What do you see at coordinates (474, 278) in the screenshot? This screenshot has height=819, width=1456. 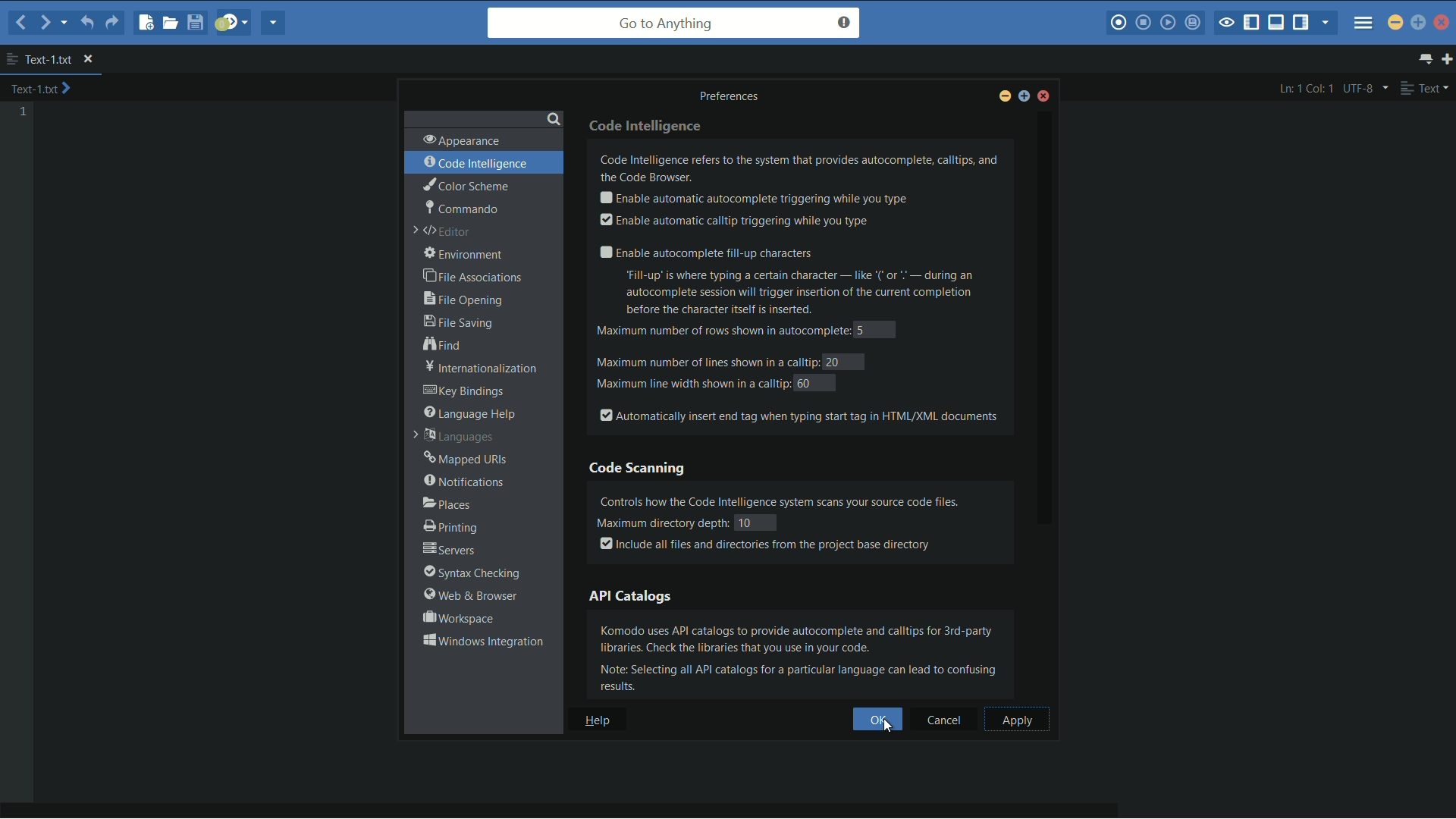 I see `file associations` at bounding box center [474, 278].